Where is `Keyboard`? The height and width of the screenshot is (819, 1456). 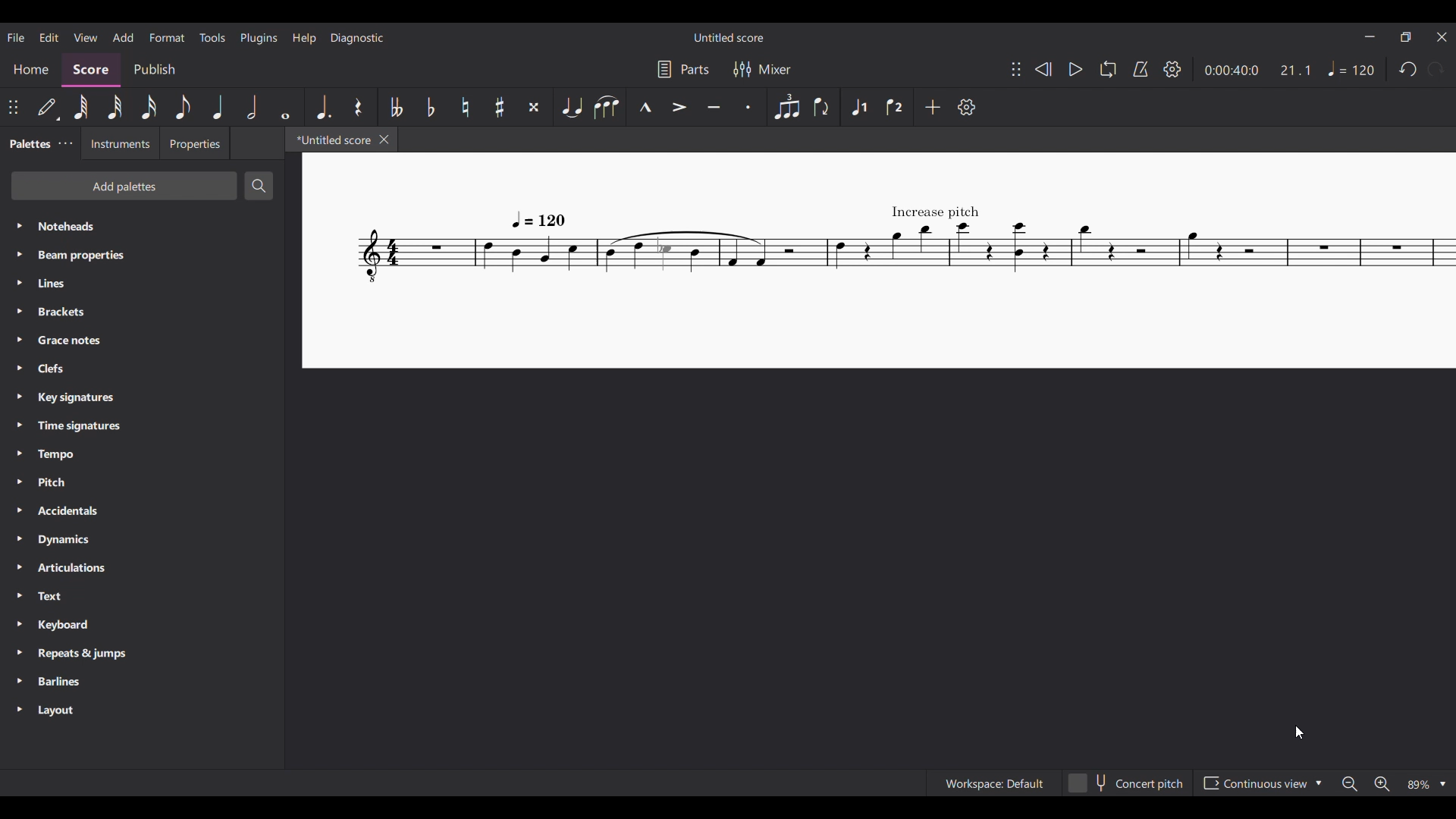
Keyboard is located at coordinates (140, 625).